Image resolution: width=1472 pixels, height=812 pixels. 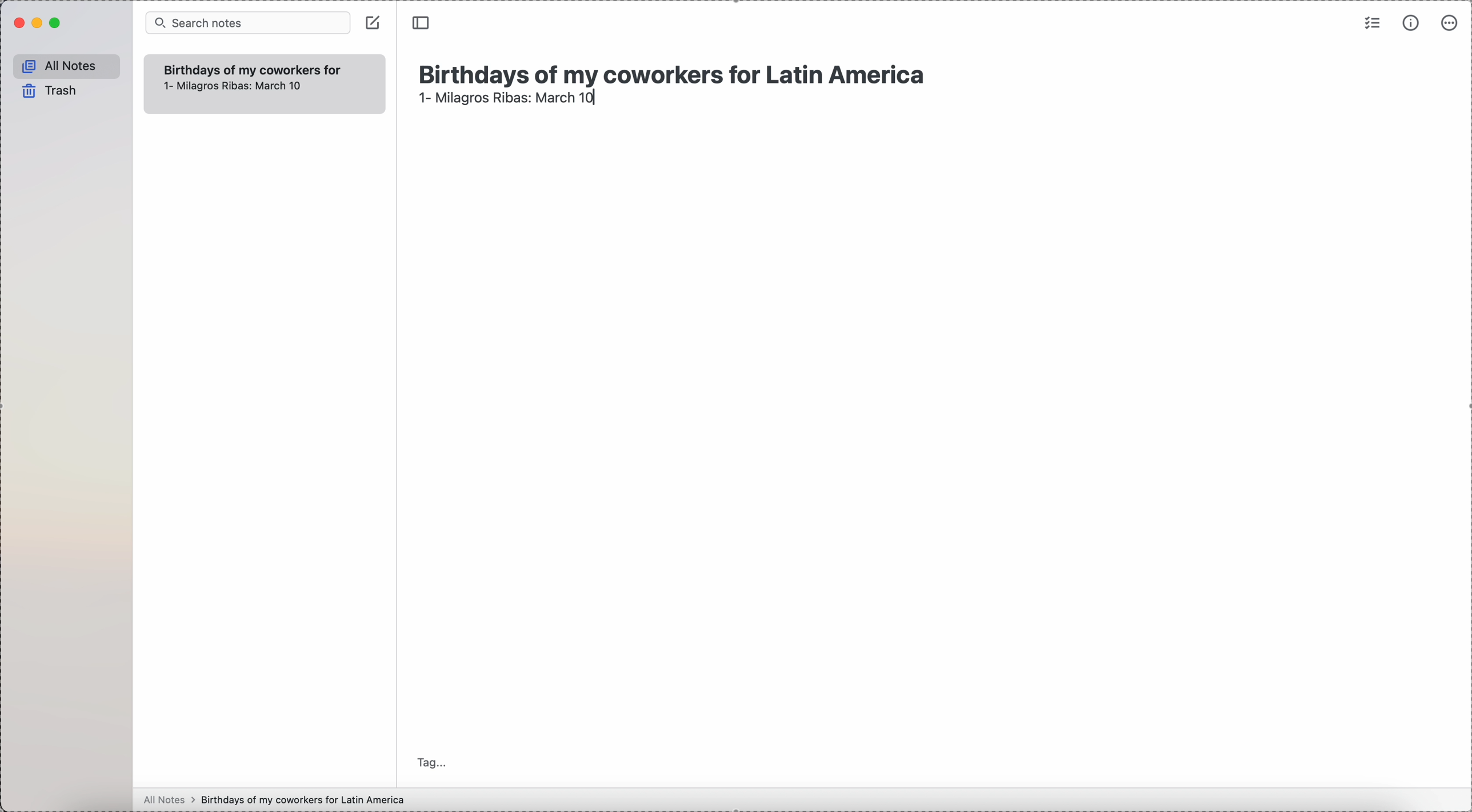 What do you see at coordinates (67, 64) in the screenshot?
I see `all notes` at bounding box center [67, 64].